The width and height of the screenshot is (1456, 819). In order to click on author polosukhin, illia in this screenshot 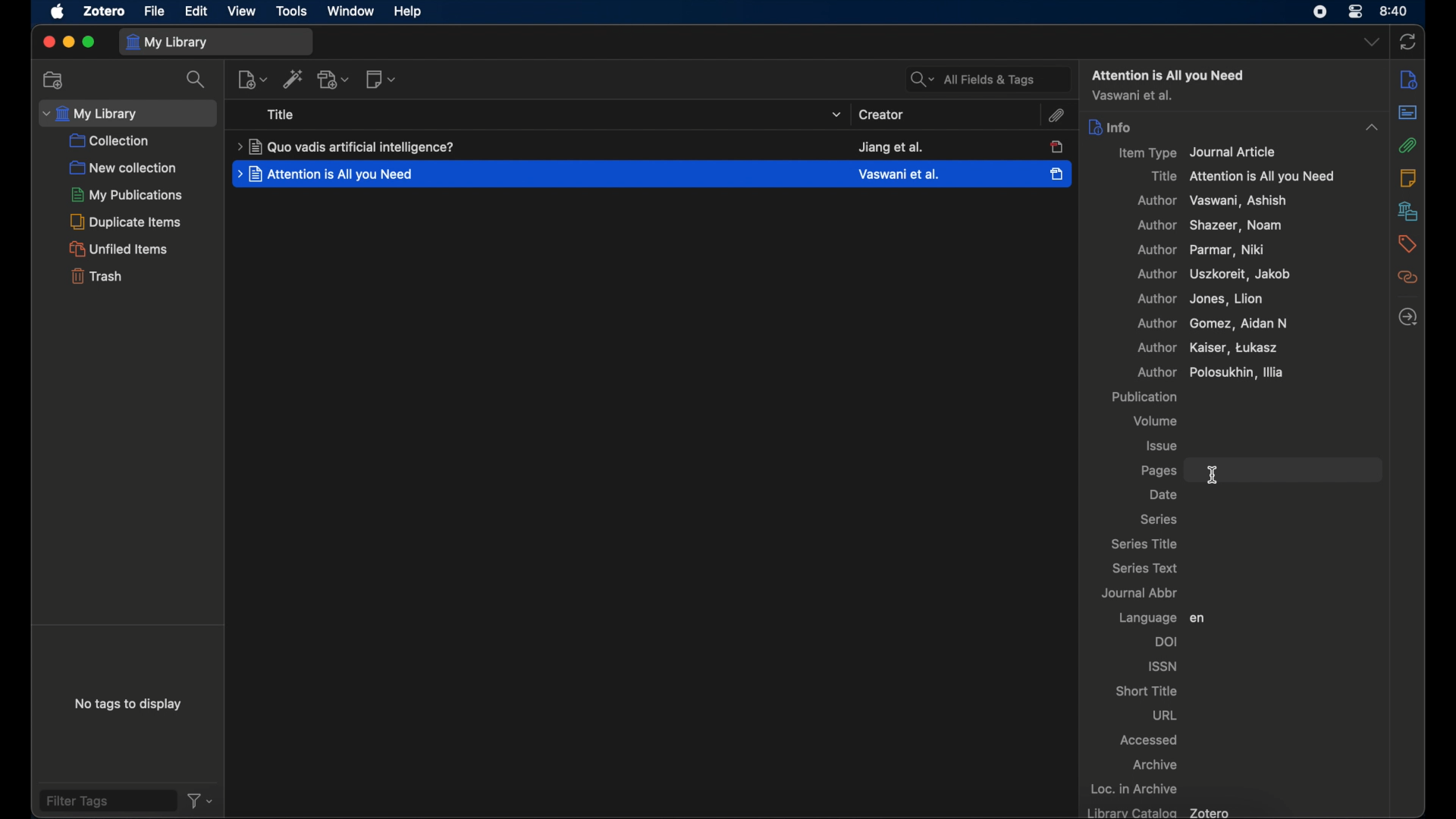, I will do `click(1169, 372)`.